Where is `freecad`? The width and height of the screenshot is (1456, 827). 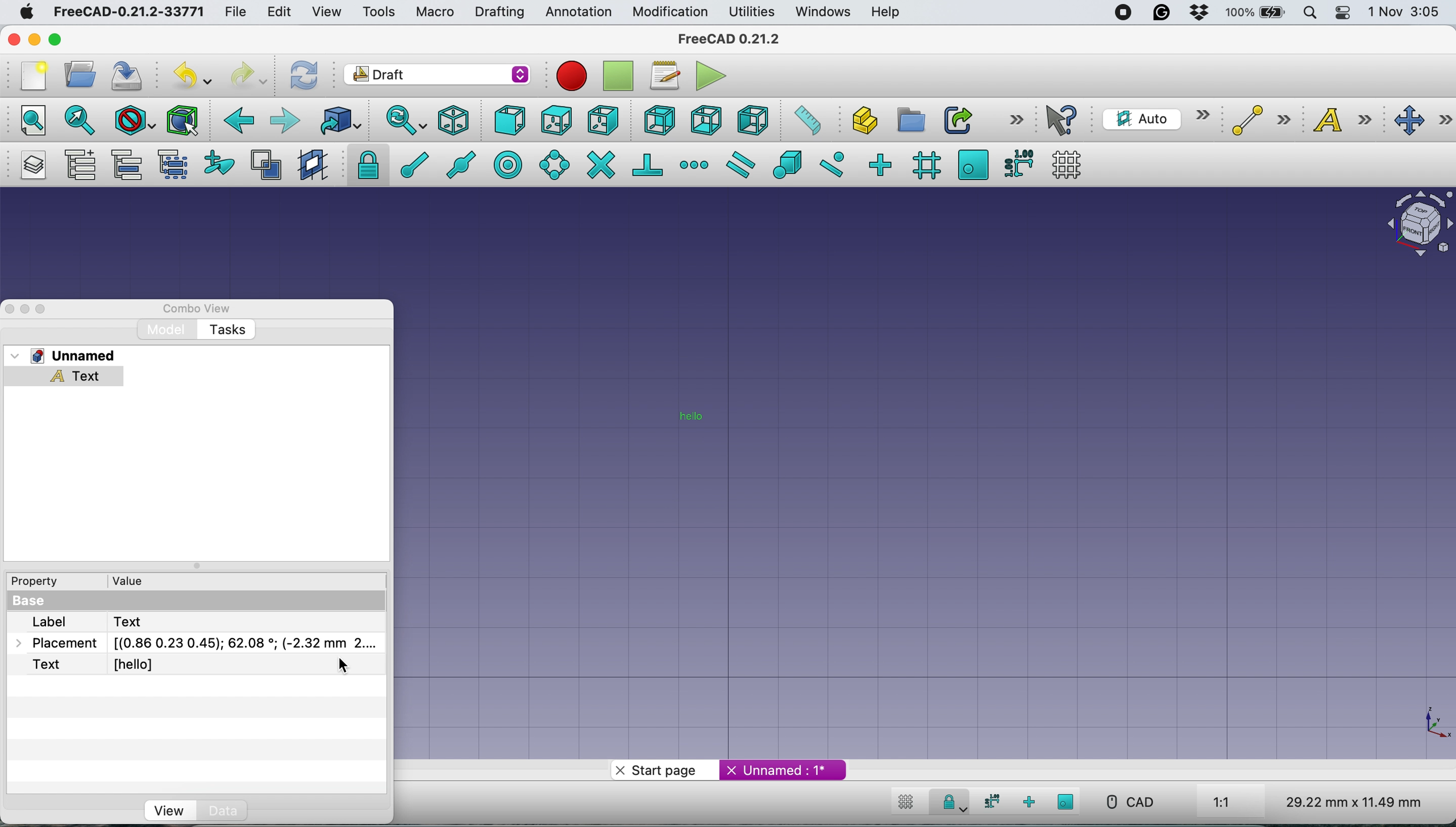 freecad is located at coordinates (126, 13).